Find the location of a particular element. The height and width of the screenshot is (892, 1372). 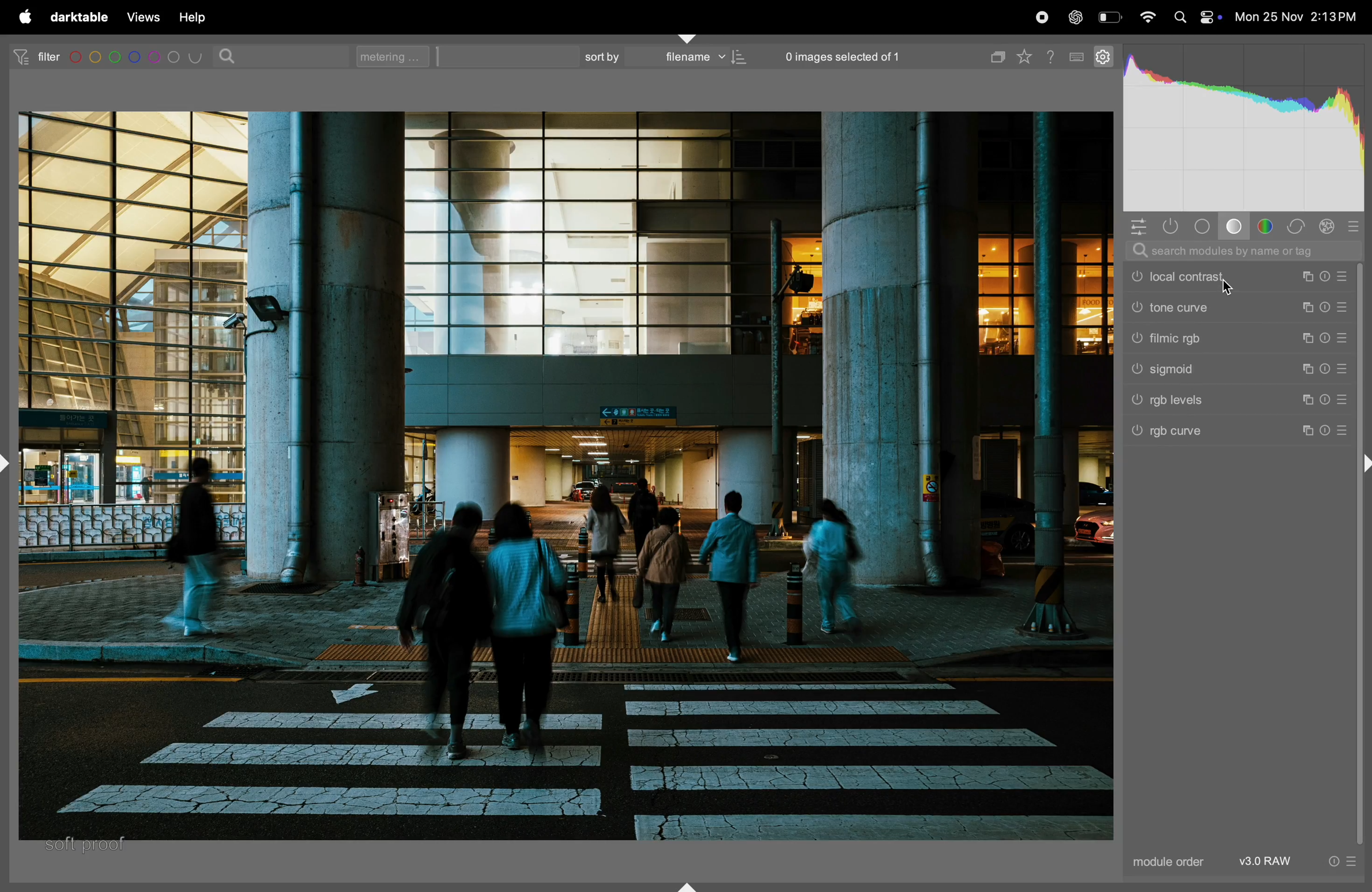

preset is located at coordinates (1344, 431).